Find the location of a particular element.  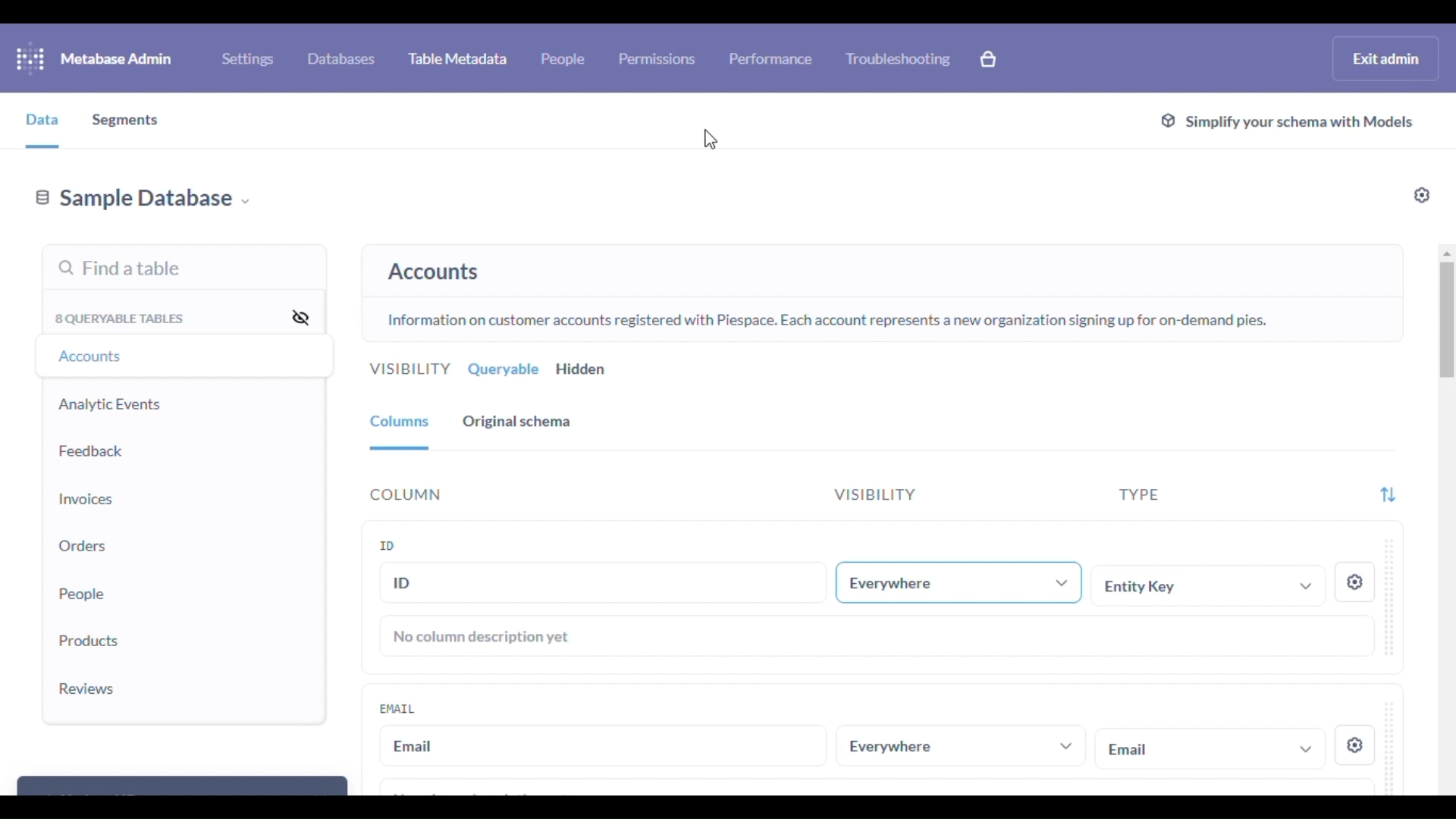

vertical scroll bar is located at coordinates (1447, 324).